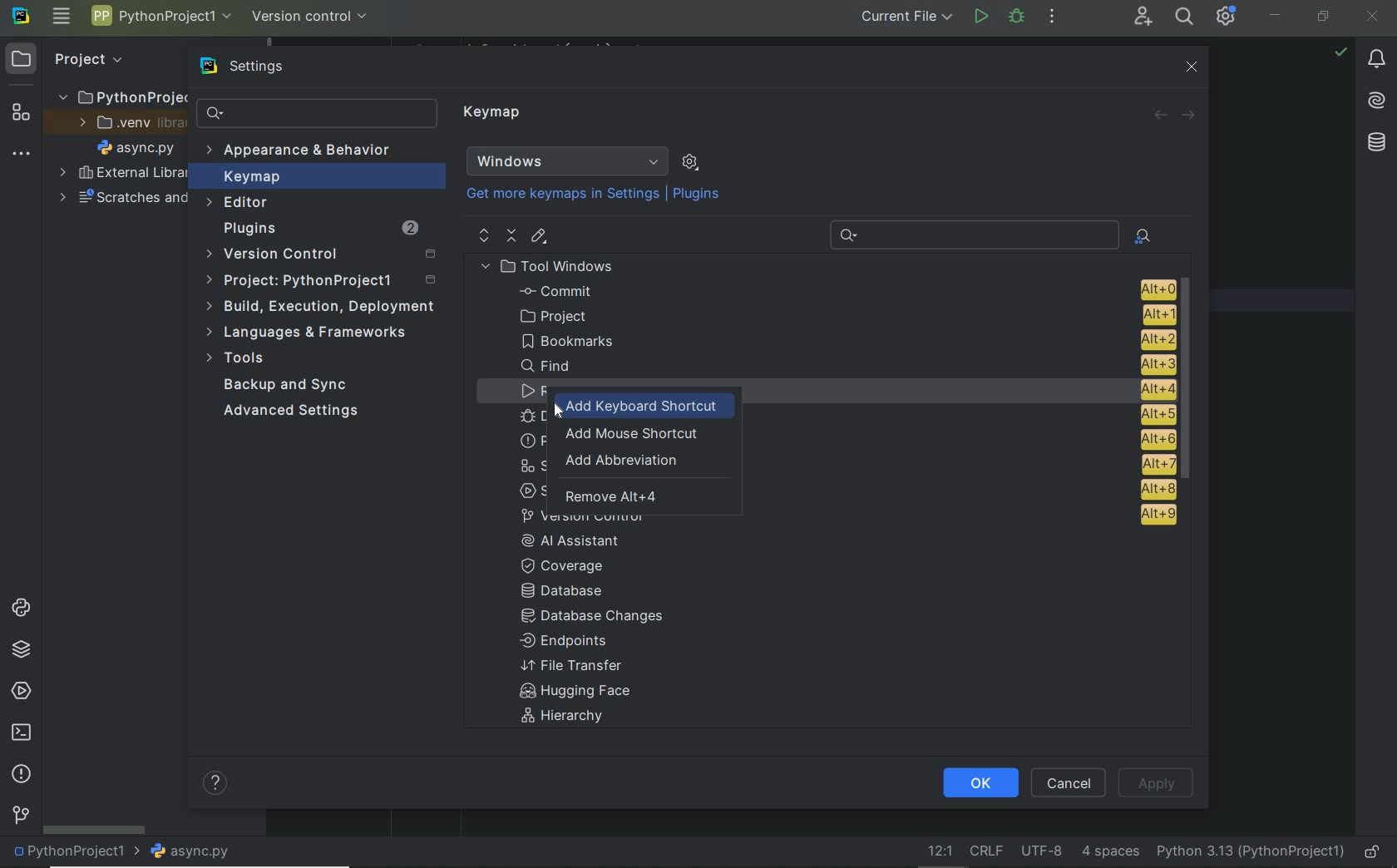 The height and width of the screenshot is (868, 1397). I want to click on alt + 7, so click(1158, 464).